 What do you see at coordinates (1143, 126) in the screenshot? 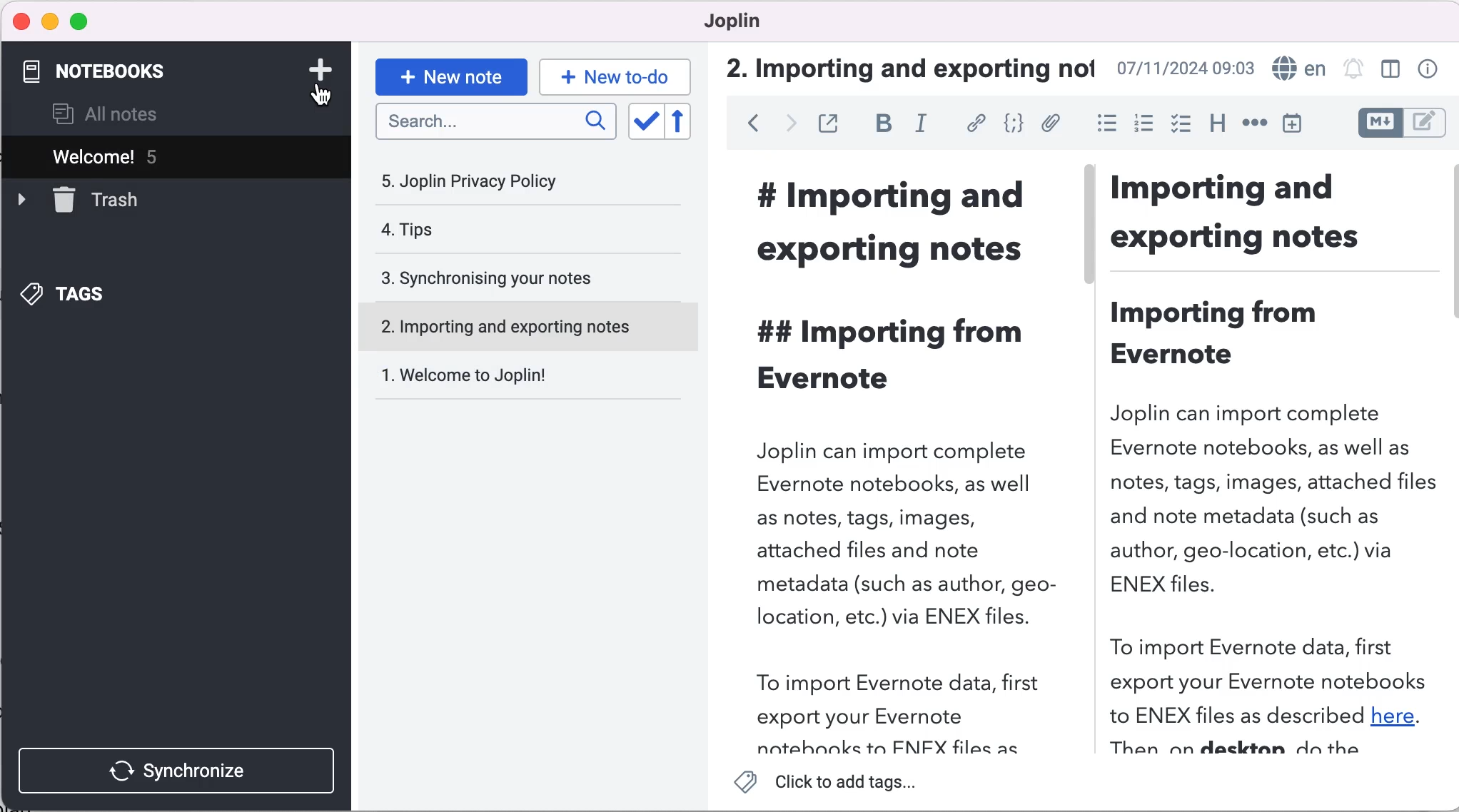
I see `numbered list` at bounding box center [1143, 126].